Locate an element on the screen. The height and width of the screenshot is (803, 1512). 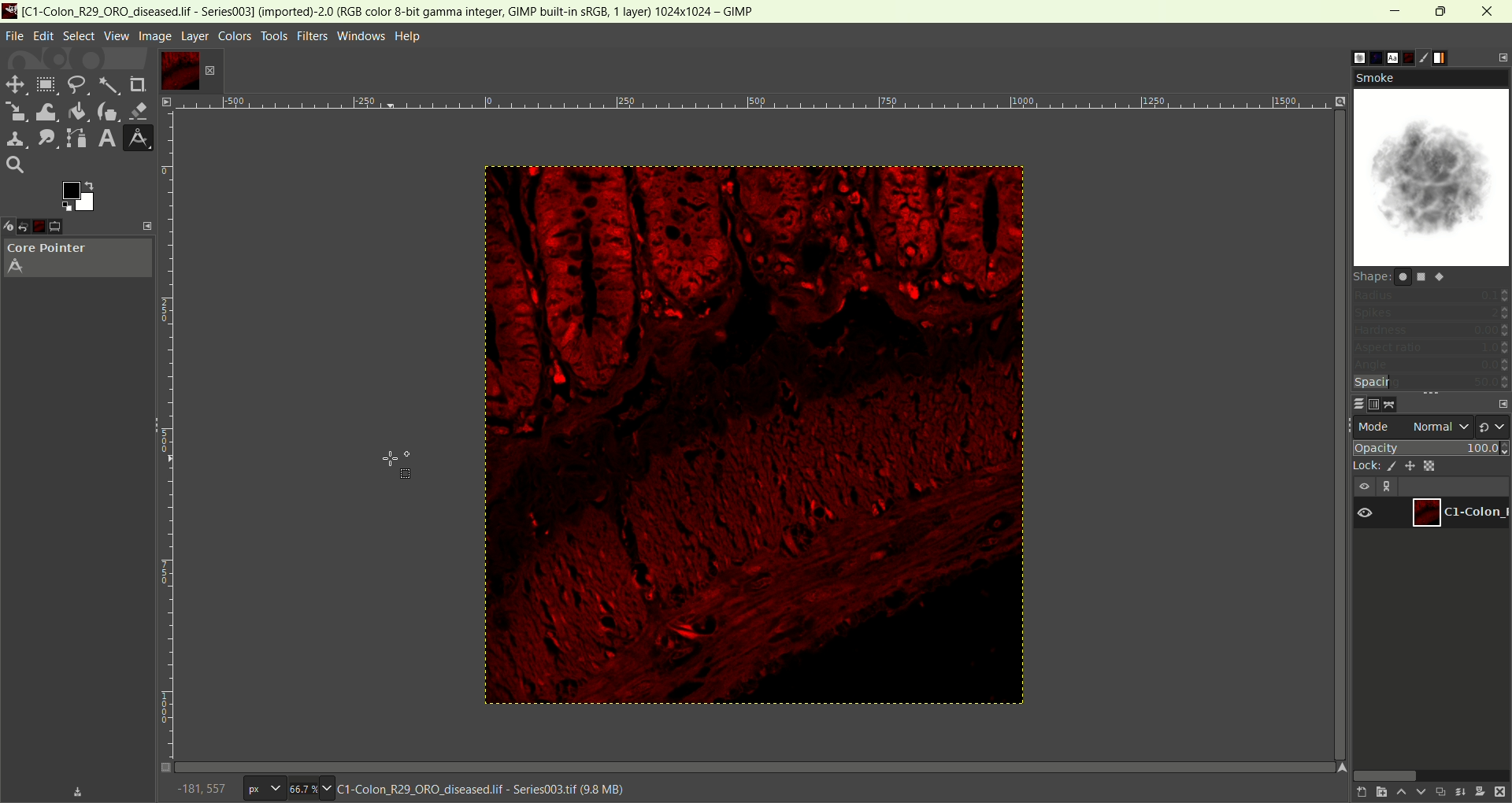
layers is located at coordinates (1352, 403).